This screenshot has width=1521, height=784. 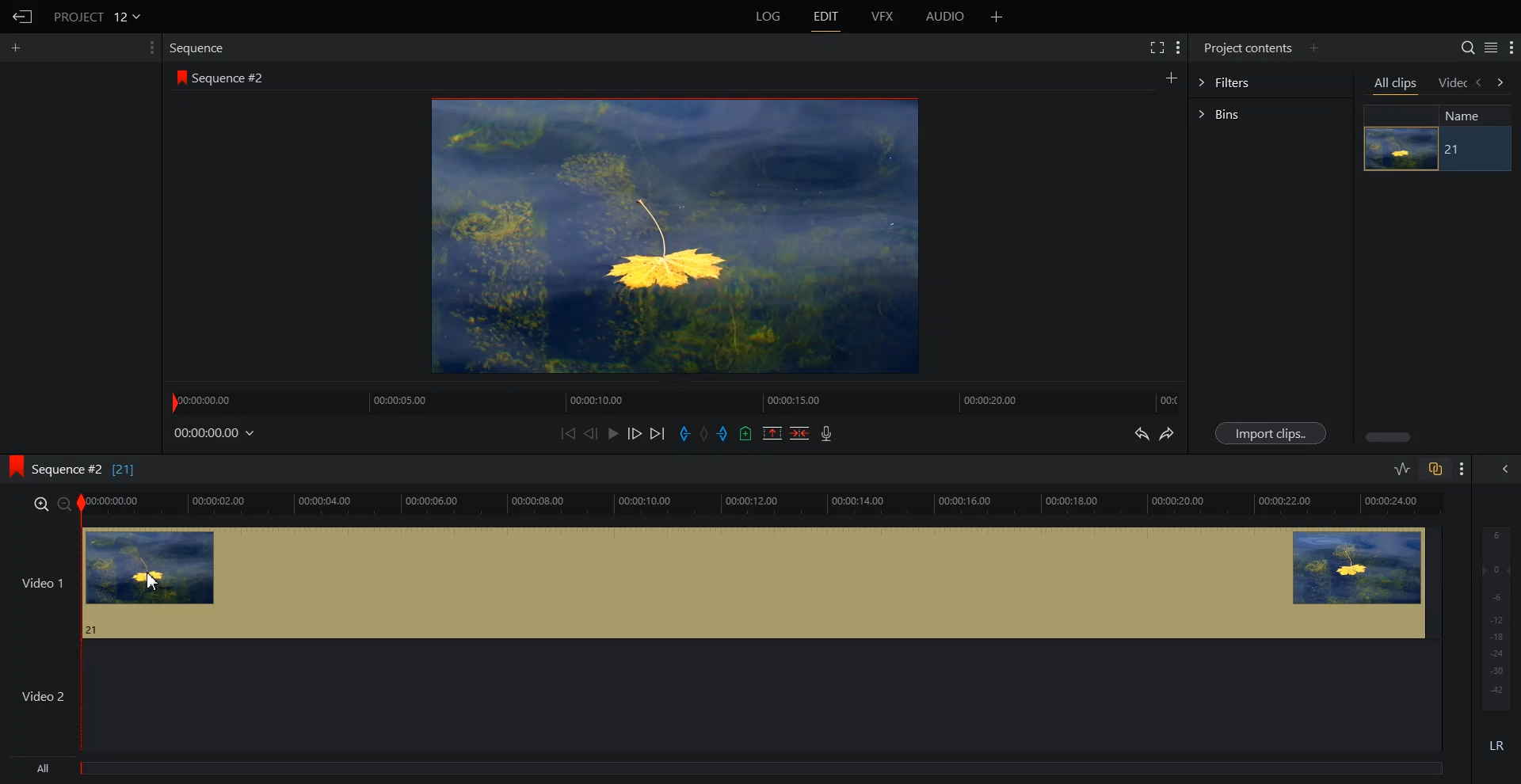 I want to click on Cursor, so click(x=154, y=581).